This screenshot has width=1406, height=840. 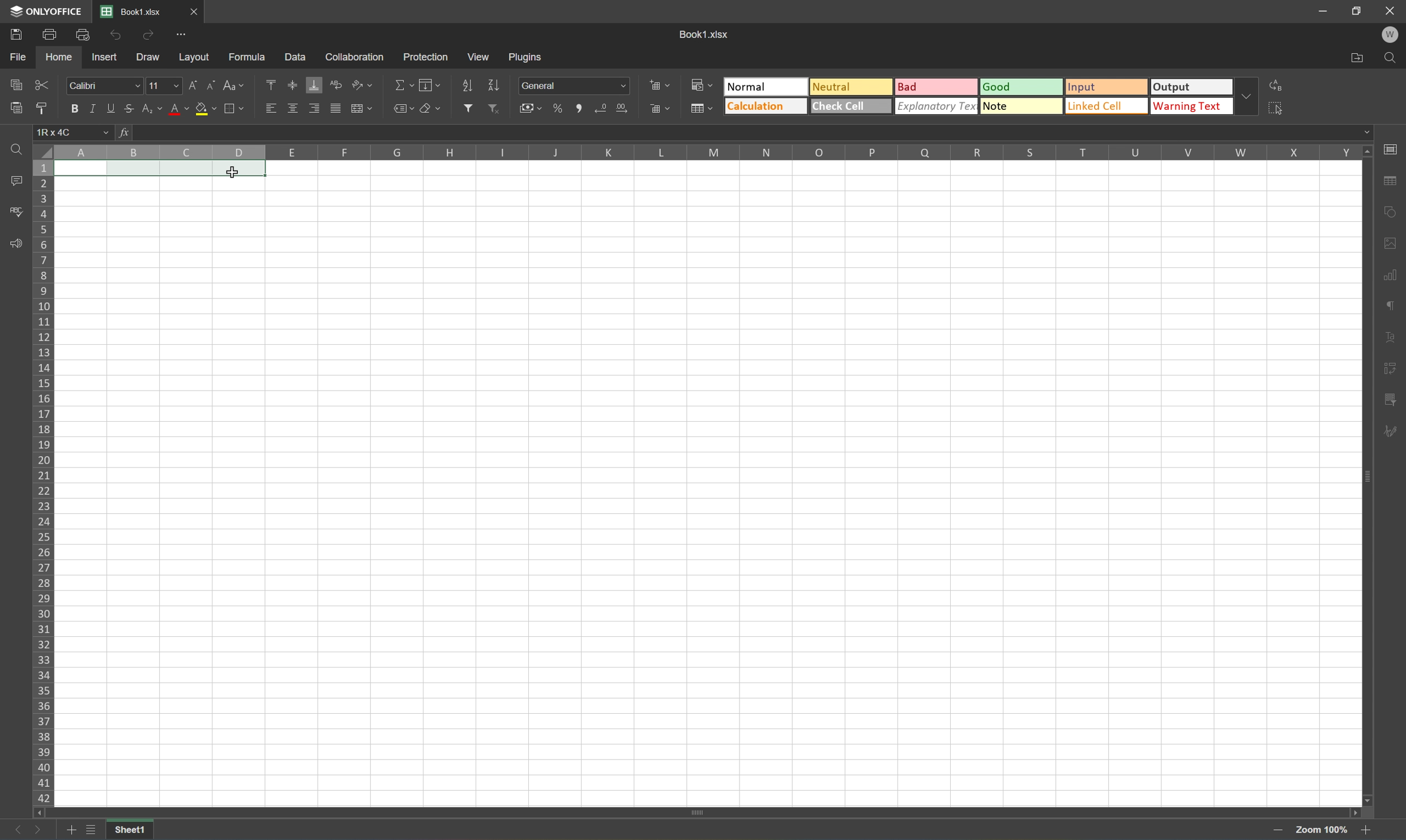 I want to click on ONLYOFFICE, so click(x=44, y=11).